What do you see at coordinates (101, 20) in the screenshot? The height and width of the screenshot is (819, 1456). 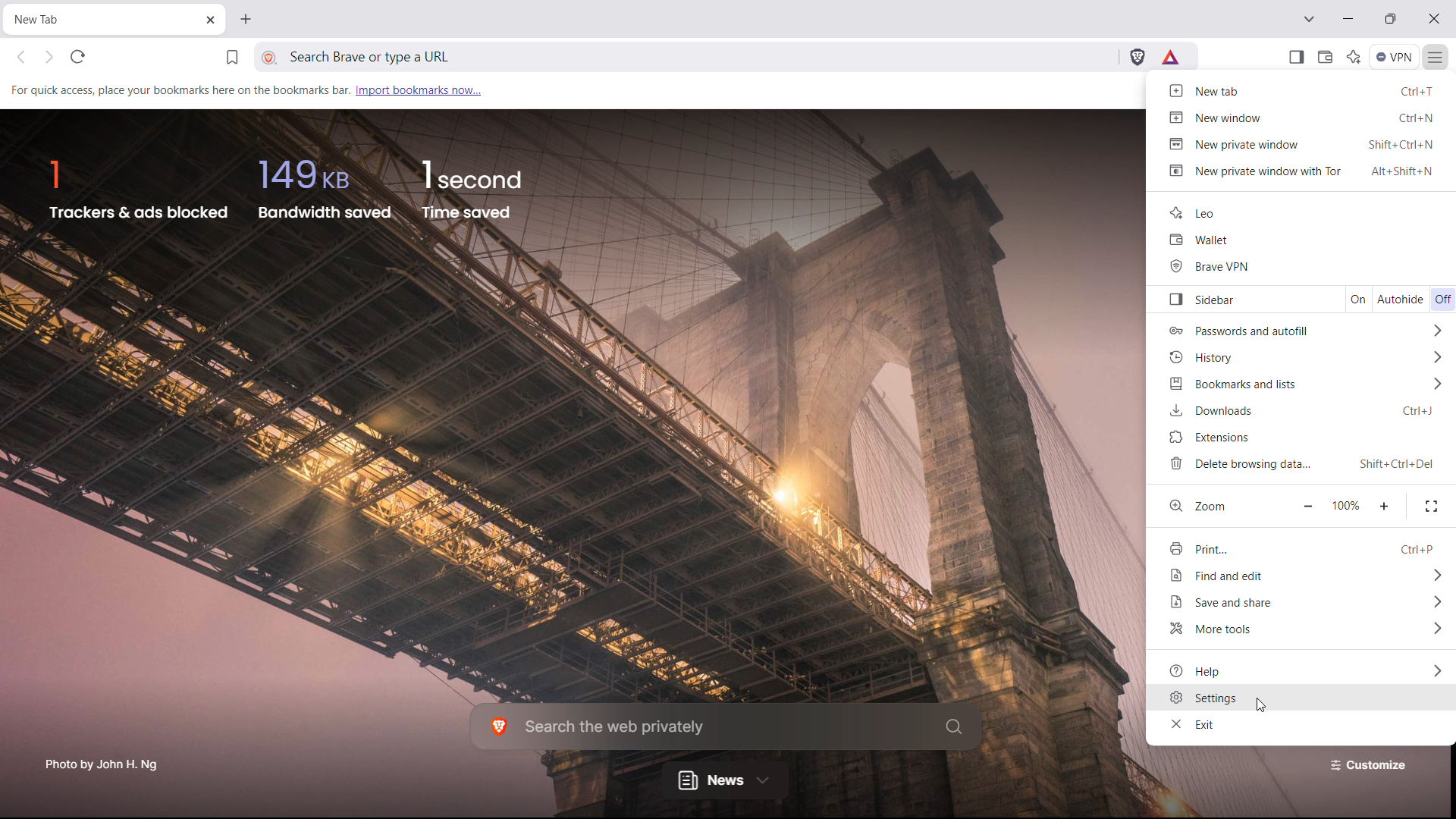 I see `New Tab` at bounding box center [101, 20].